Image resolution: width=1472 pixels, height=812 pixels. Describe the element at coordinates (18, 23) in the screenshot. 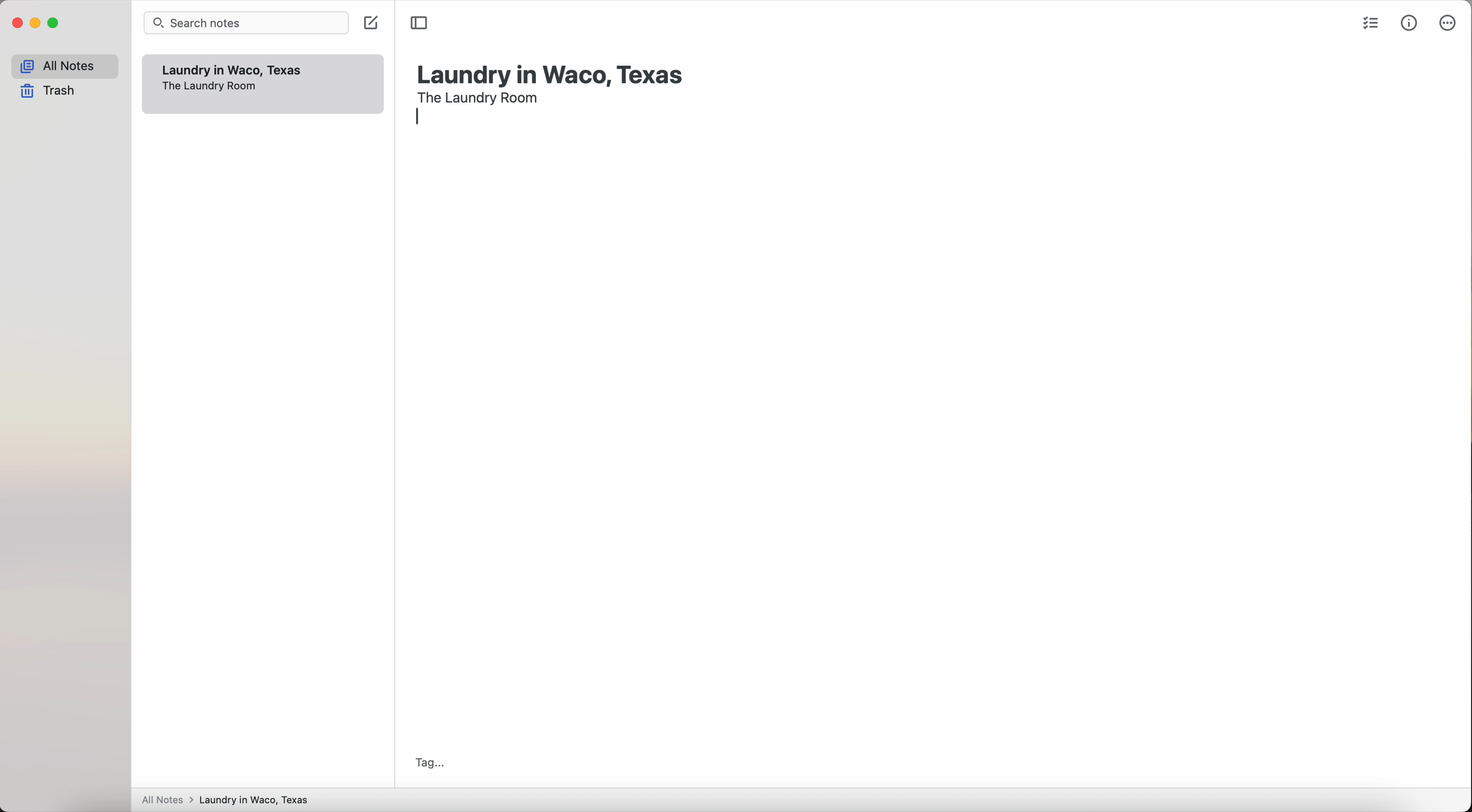

I see `close app` at that location.